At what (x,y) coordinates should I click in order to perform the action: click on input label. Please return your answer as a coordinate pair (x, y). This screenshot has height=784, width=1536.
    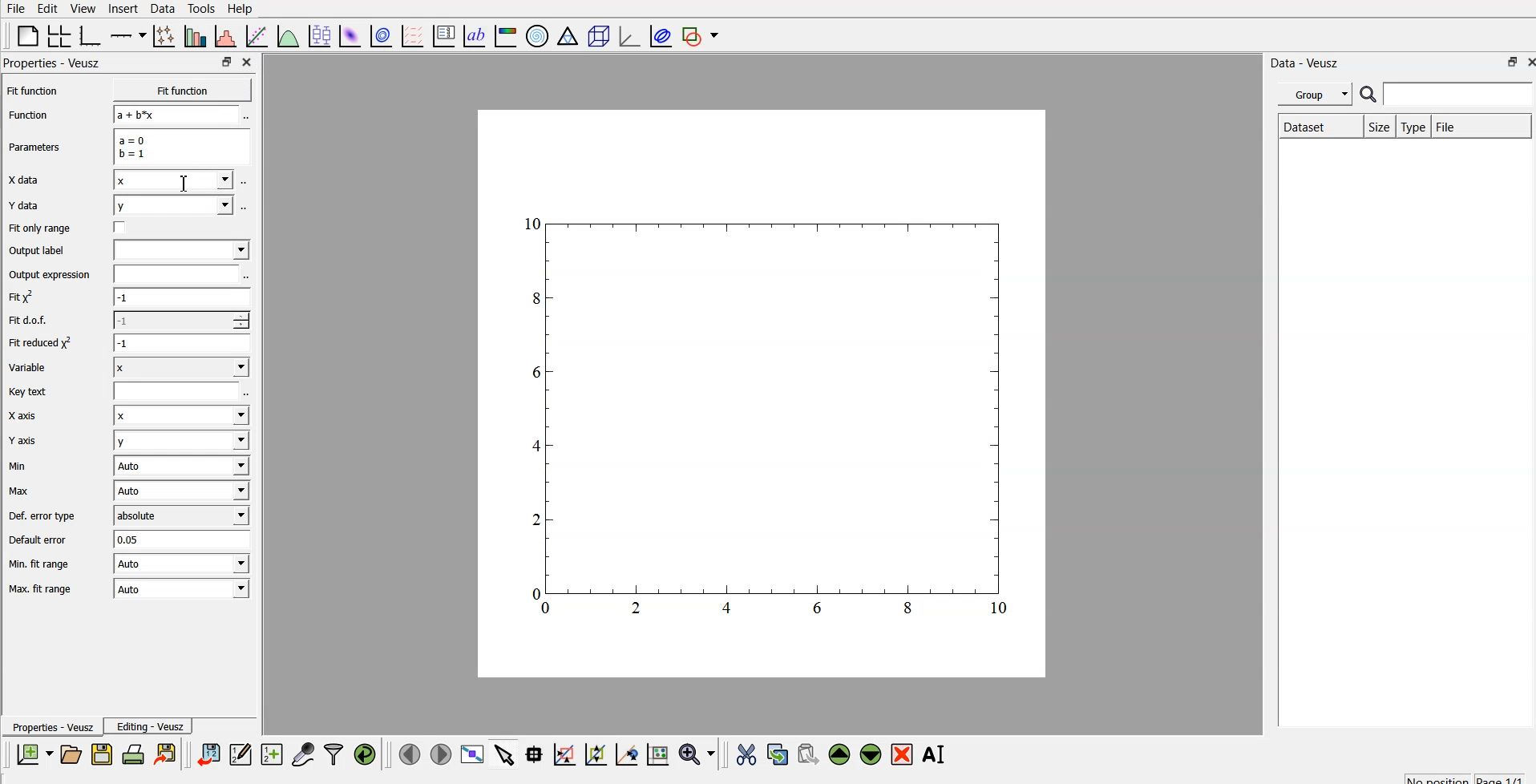
    Looking at the image, I should click on (182, 249).